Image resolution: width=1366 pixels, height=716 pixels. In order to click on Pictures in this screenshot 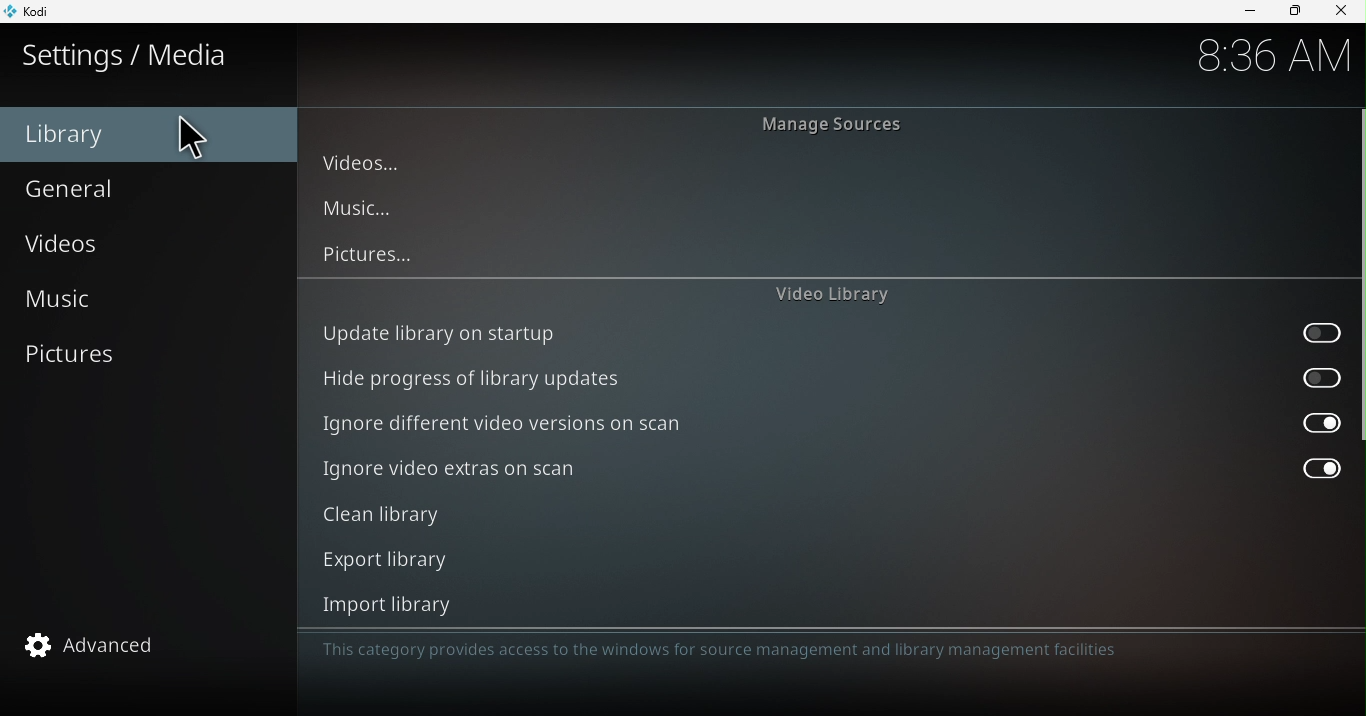, I will do `click(146, 353)`.